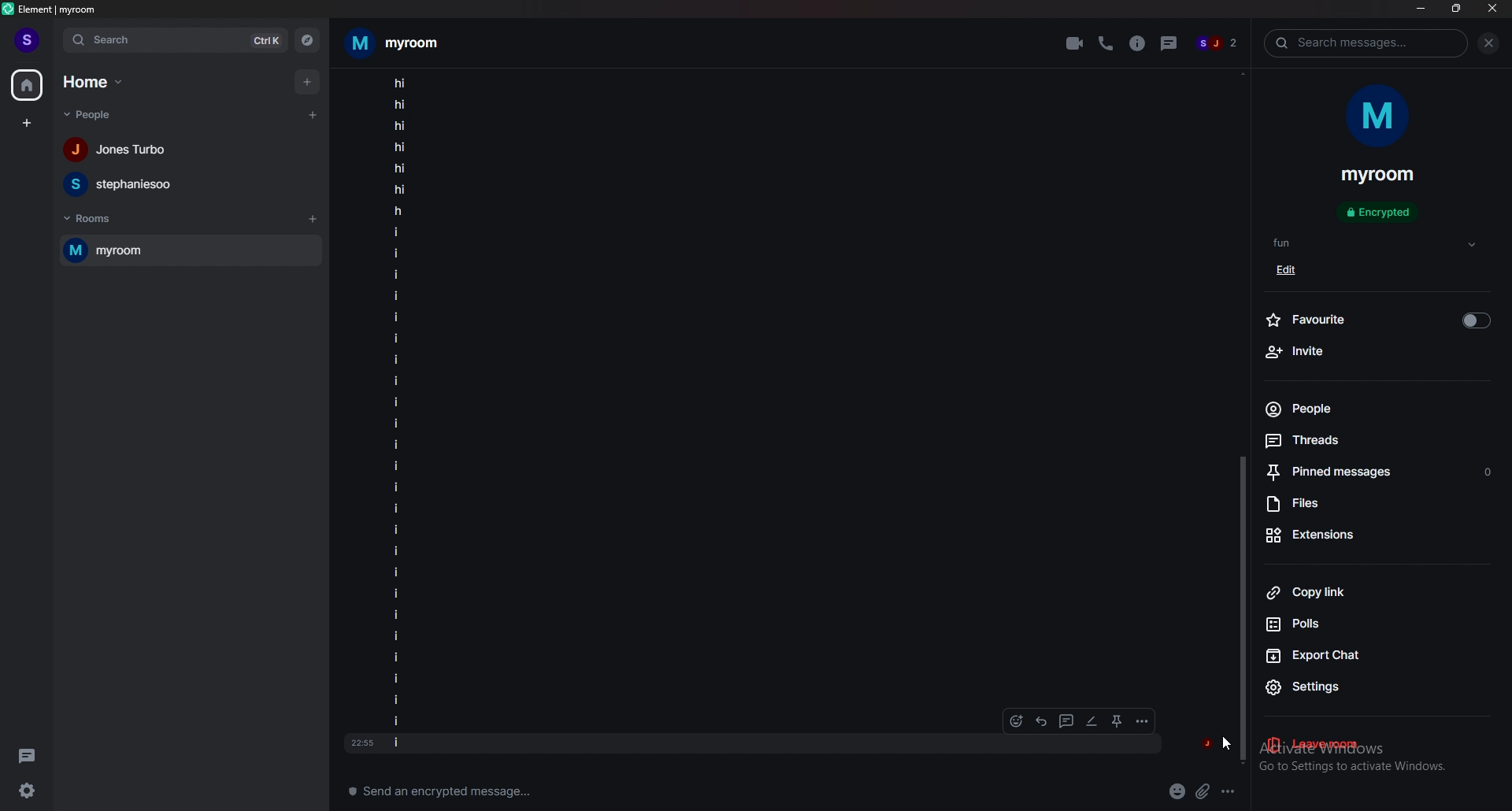 This screenshot has height=811, width=1512. Describe the element at coordinates (1354, 536) in the screenshot. I see `extensions` at that location.